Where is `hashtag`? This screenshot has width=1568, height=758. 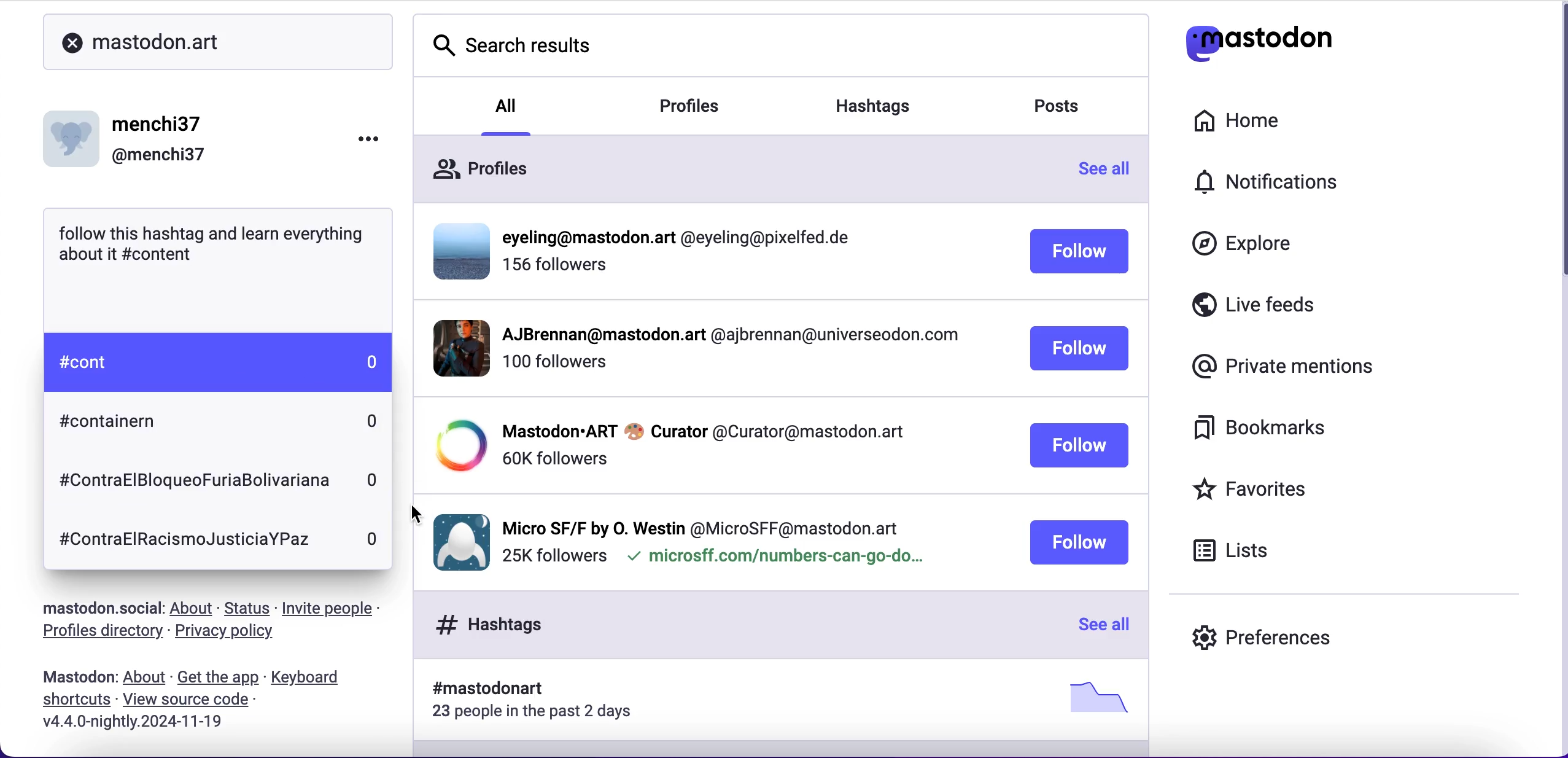 hashtag is located at coordinates (480, 689).